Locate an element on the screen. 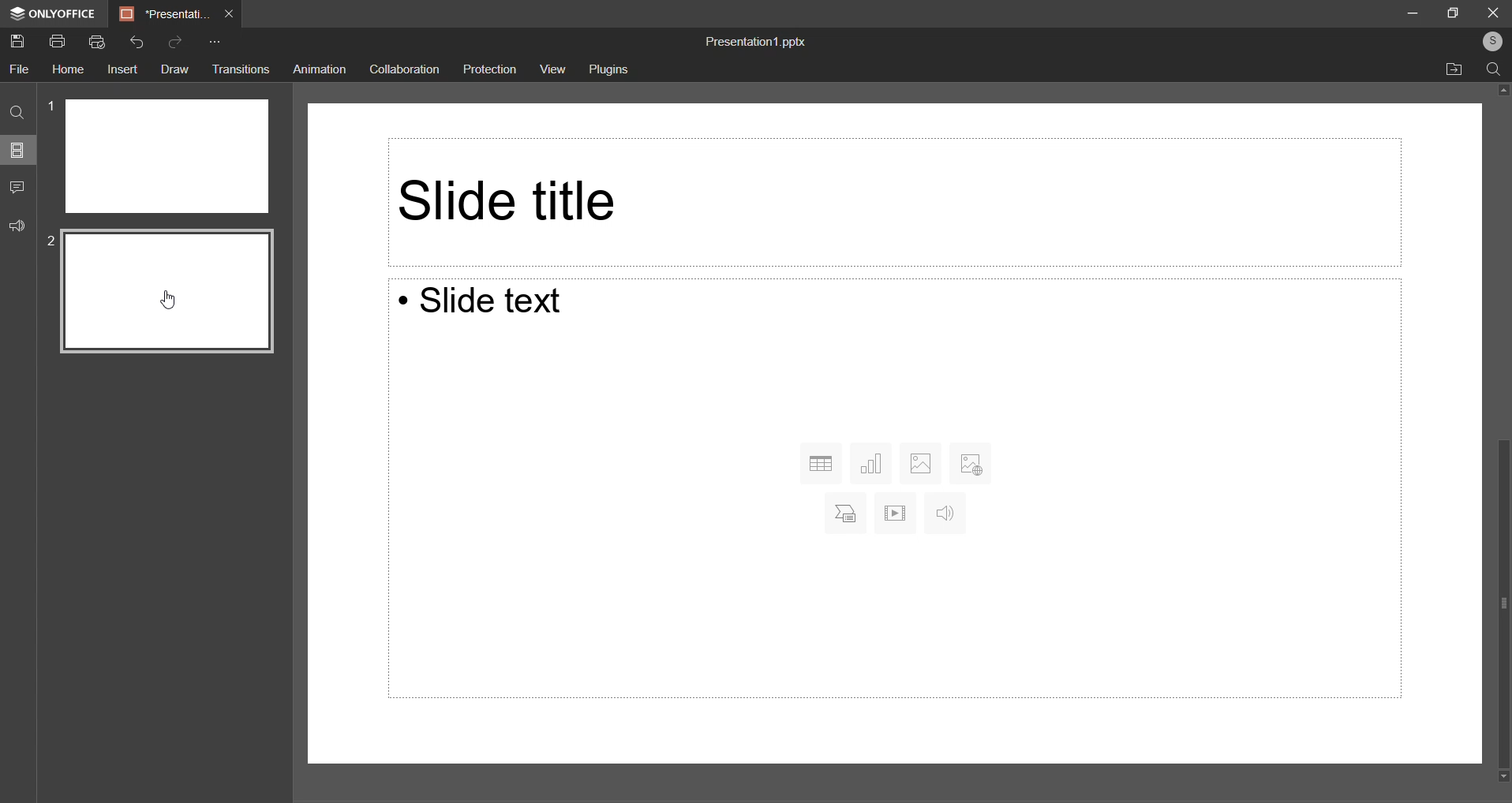  Slide  is located at coordinates (168, 291).